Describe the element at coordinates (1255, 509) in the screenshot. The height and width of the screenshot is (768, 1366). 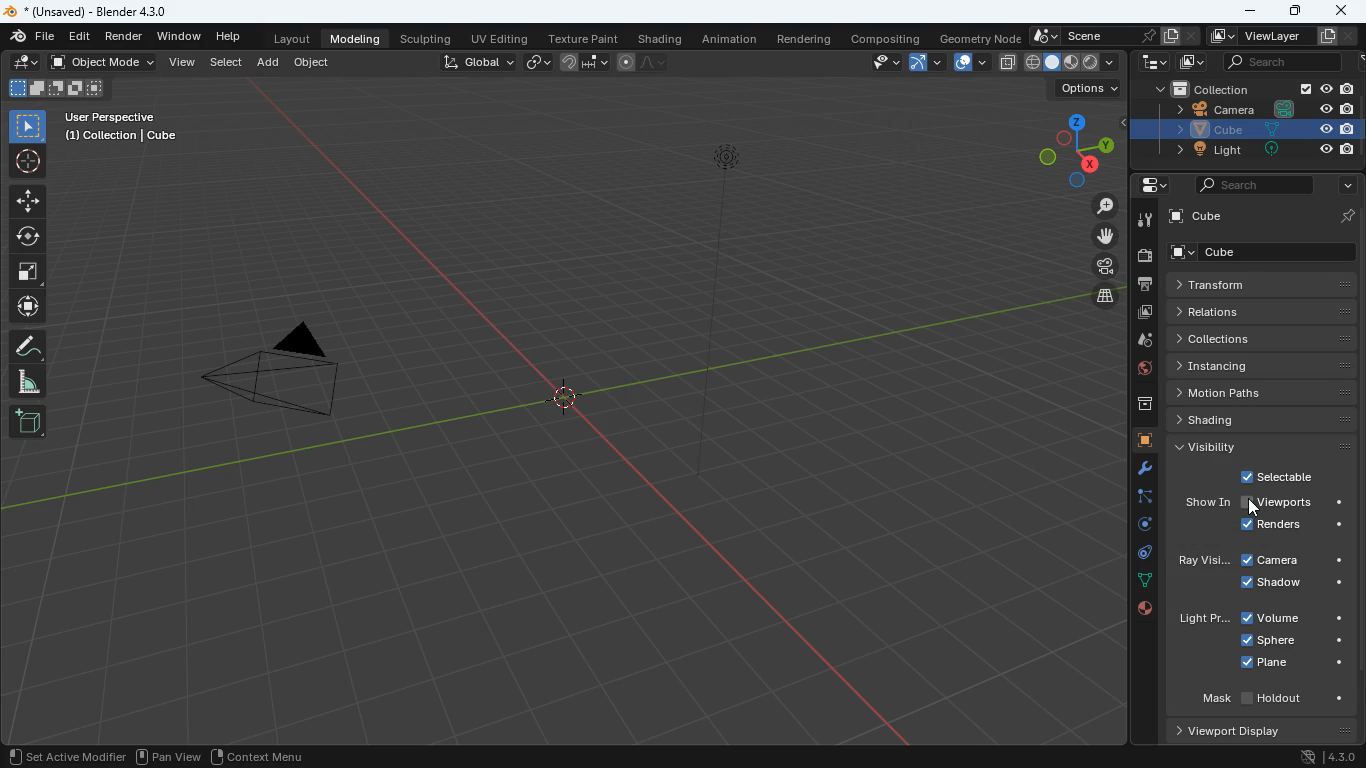
I see `cursor` at that location.